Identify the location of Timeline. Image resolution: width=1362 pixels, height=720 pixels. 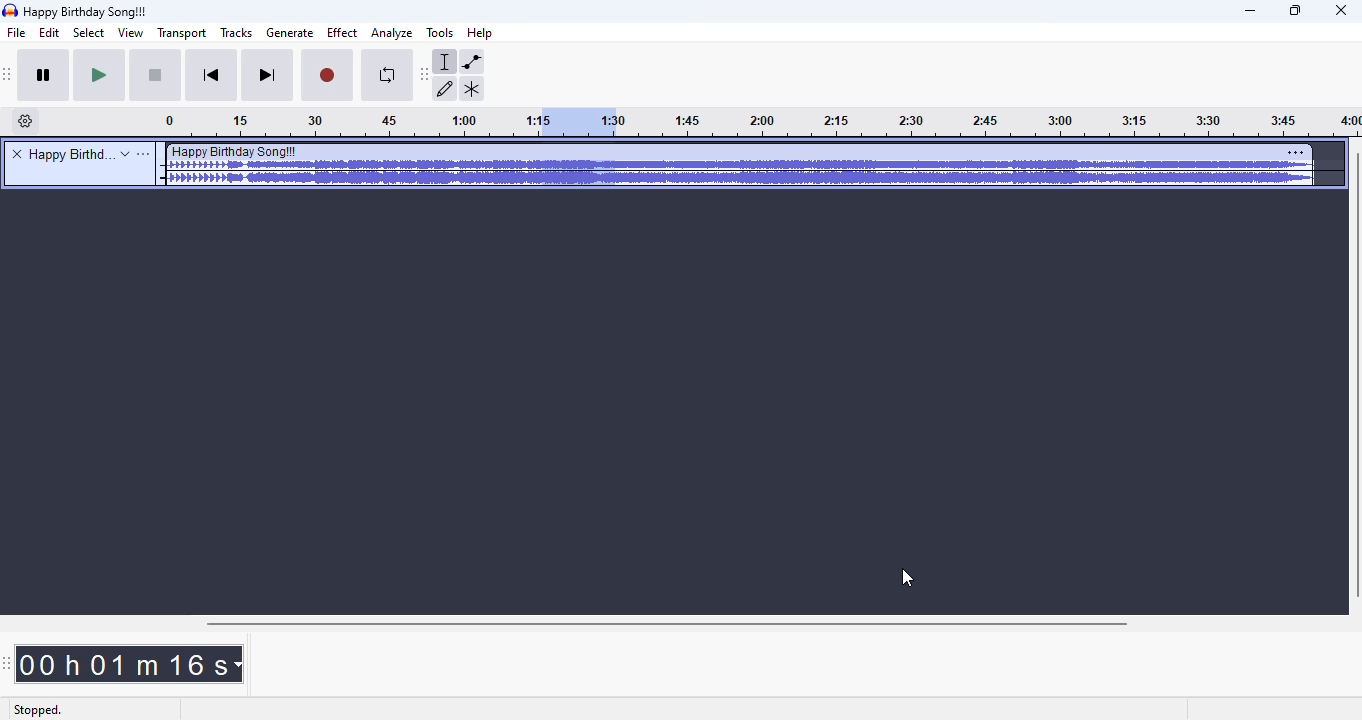
(346, 123).